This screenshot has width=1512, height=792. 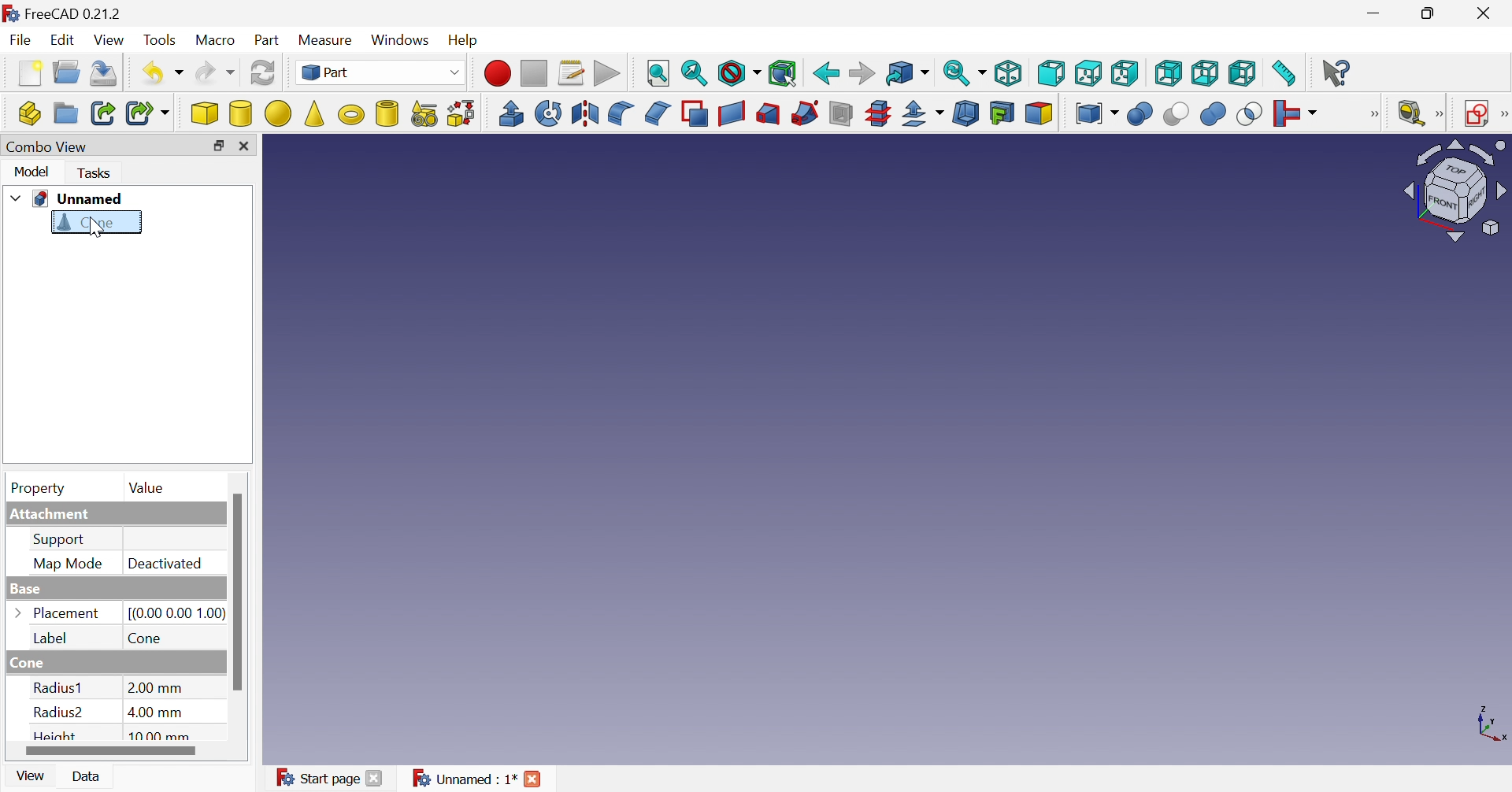 What do you see at coordinates (732, 113) in the screenshot?
I see `Create ruled surface` at bounding box center [732, 113].